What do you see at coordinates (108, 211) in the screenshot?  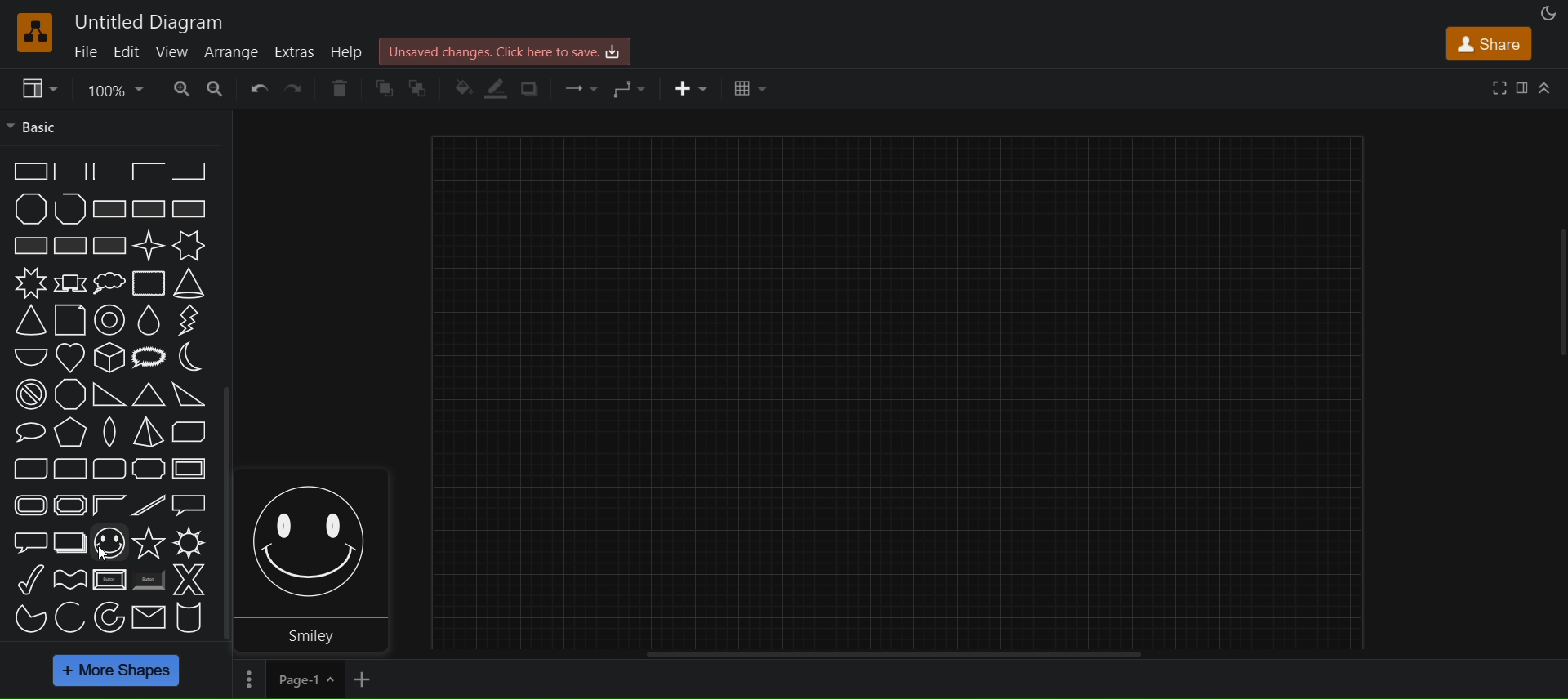 I see `rectangle with diagonal fill` at bounding box center [108, 211].